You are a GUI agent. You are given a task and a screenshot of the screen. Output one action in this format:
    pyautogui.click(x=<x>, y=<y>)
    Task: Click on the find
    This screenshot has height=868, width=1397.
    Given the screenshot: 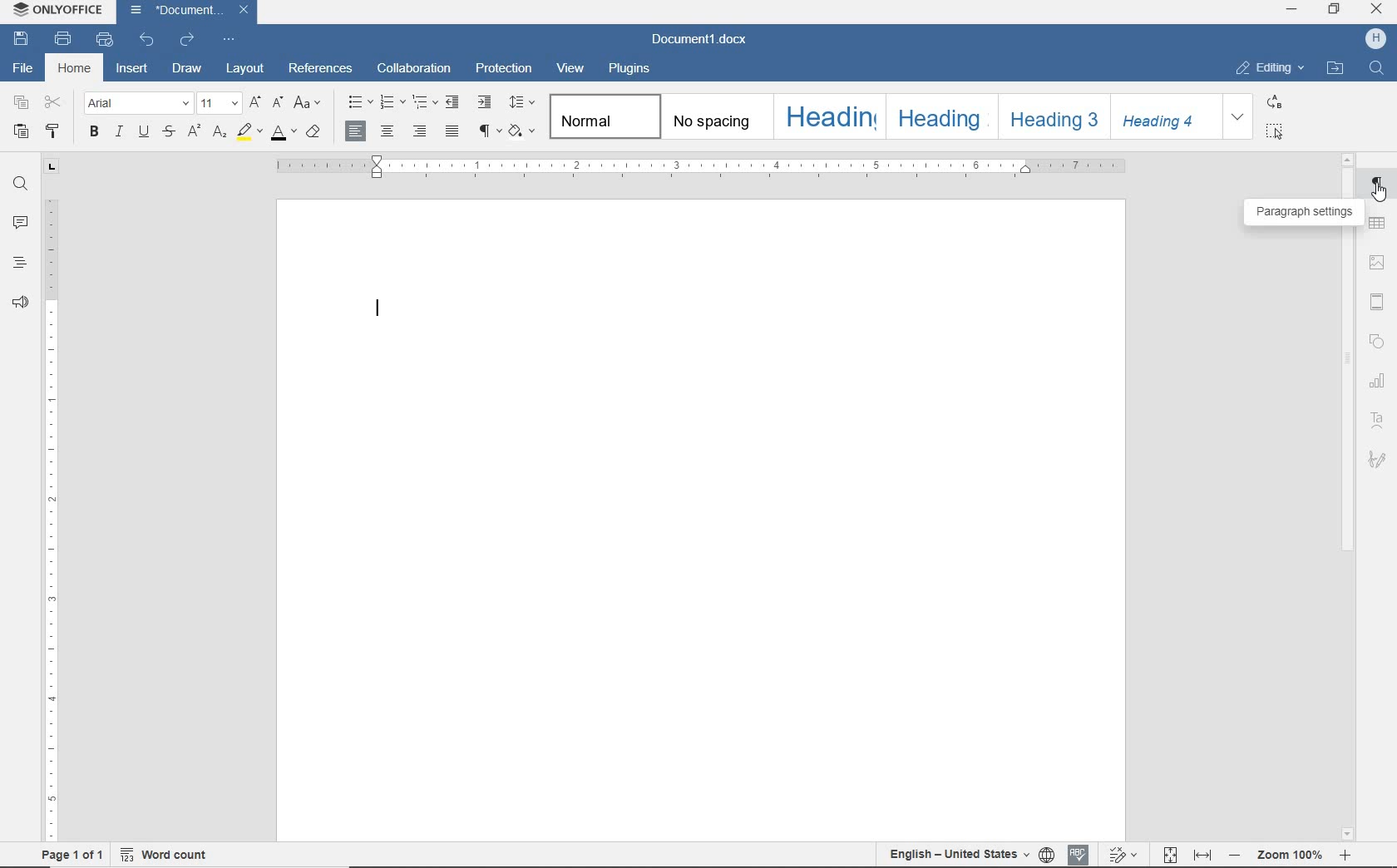 What is the action you would take?
    pyautogui.click(x=17, y=184)
    